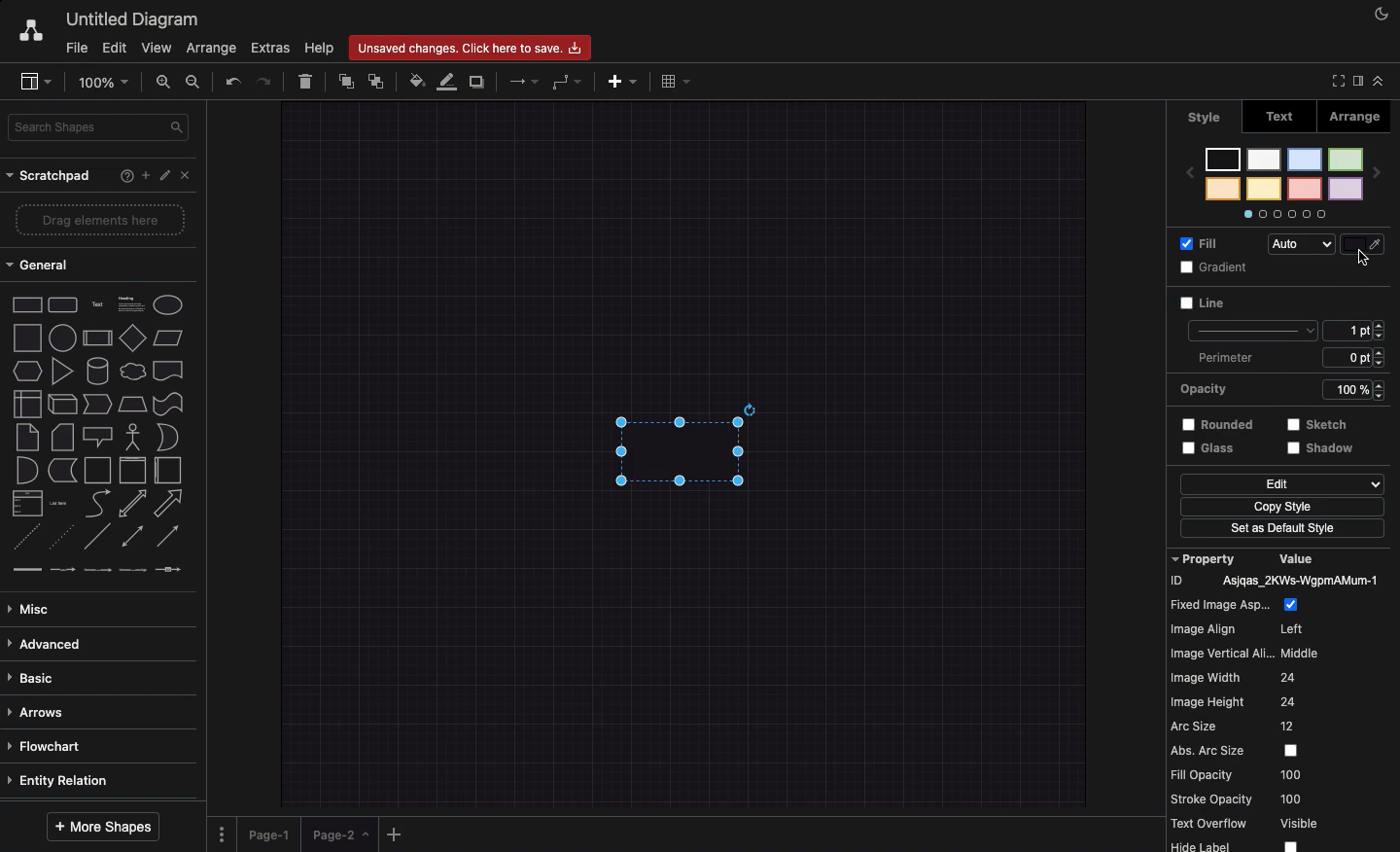 Image resolution: width=1400 pixels, height=852 pixels. Describe the element at coordinates (518, 80) in the screenshot. I see `Arrows` at that location.